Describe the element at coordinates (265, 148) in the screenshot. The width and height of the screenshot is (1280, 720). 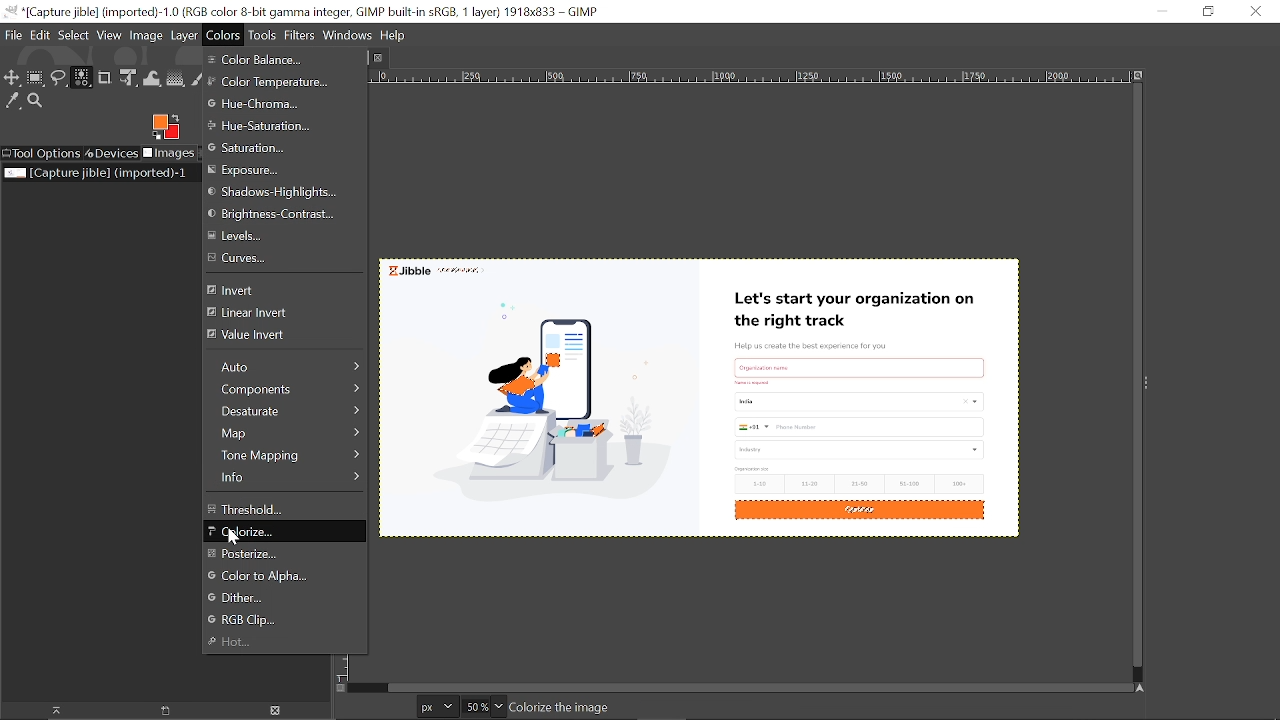
I see `Saturation` at that location.